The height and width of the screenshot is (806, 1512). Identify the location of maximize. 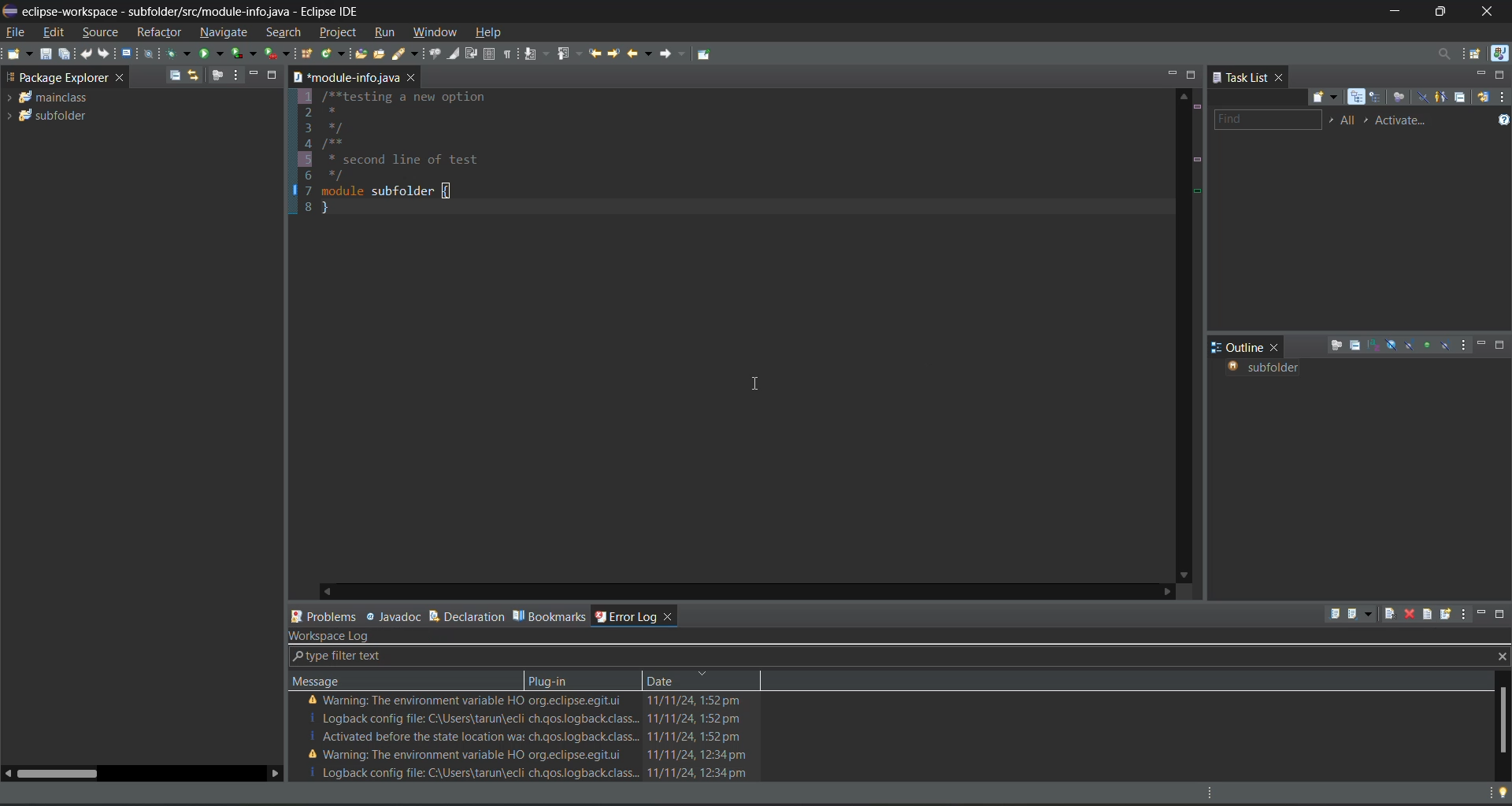
(1499, 75).